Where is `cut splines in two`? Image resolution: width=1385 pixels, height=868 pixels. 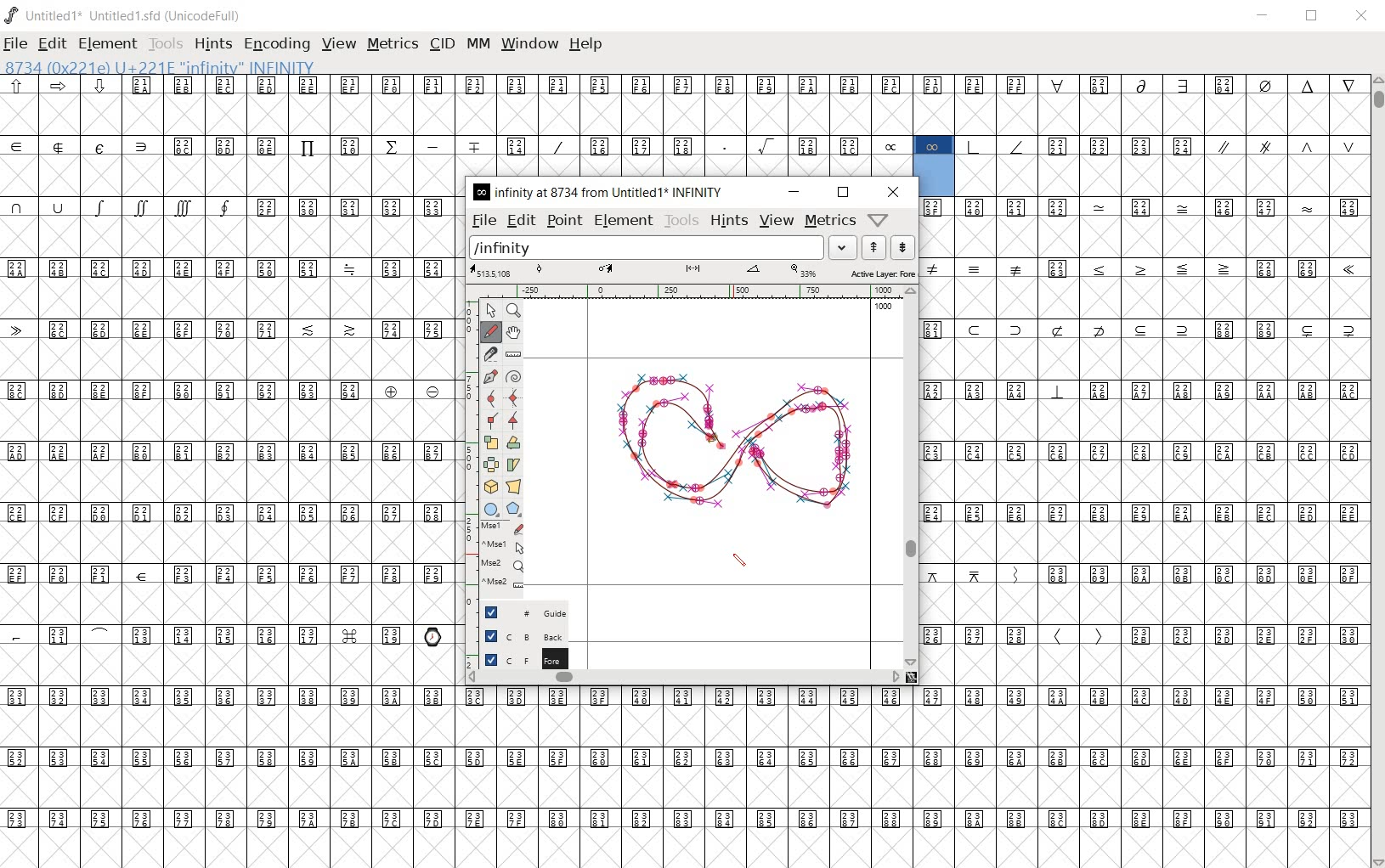 cut splines in two is located at coordinates (489, 352).